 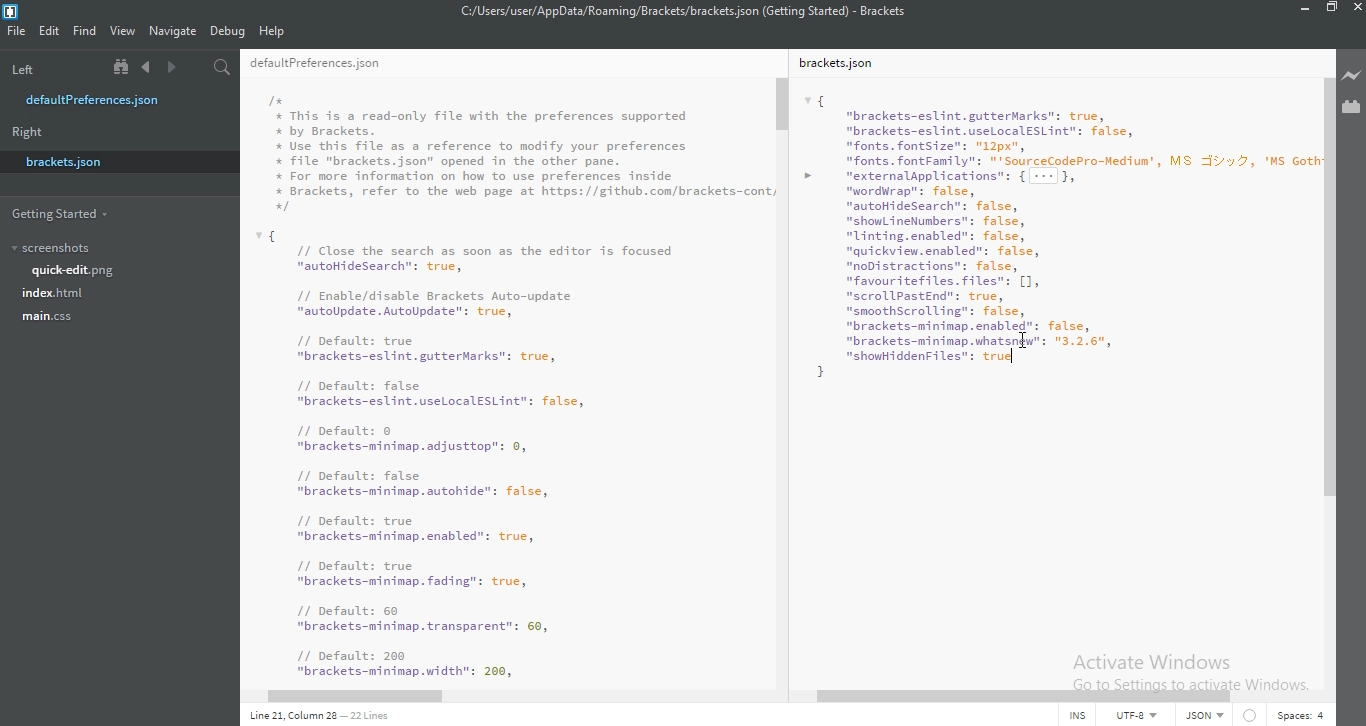 What do you see at coordinates (272, 32) in the screenshot?
I see `help` at bounding box center [272, 32].